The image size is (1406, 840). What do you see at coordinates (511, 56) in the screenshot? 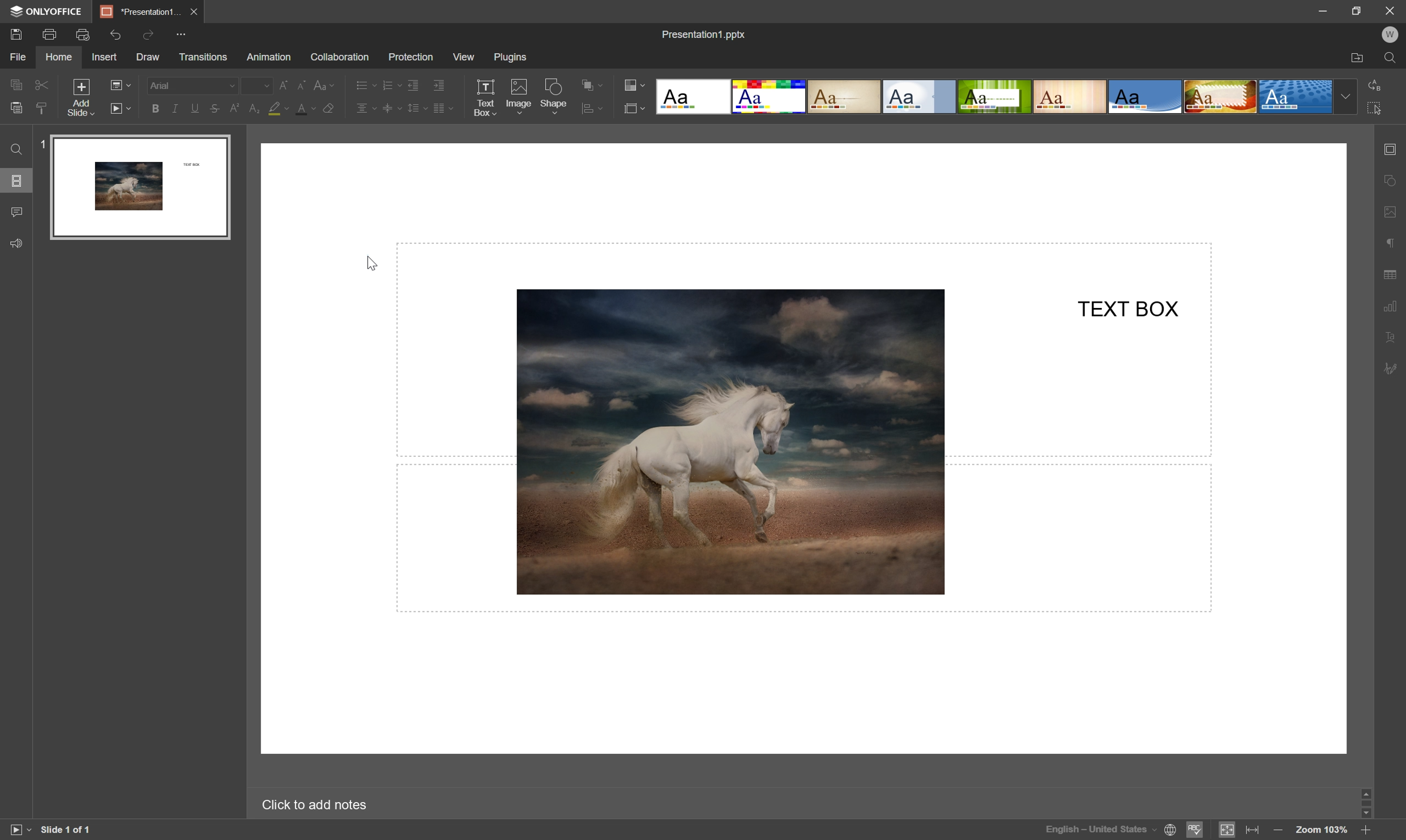
I see `plugins` at bounding box center [511, 56].